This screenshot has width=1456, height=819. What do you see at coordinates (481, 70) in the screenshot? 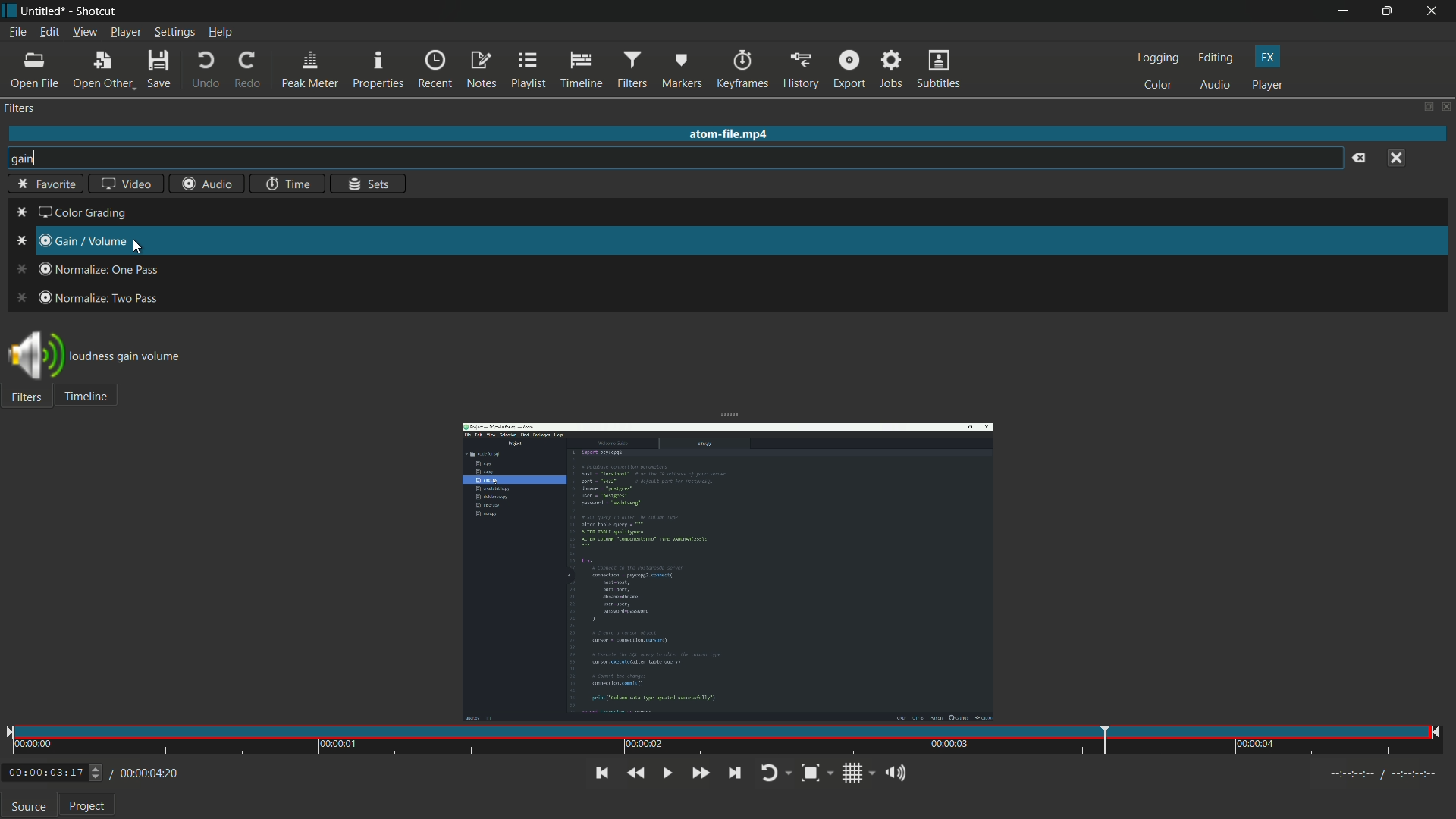
I see `notes` at bounding box center [481, 70].